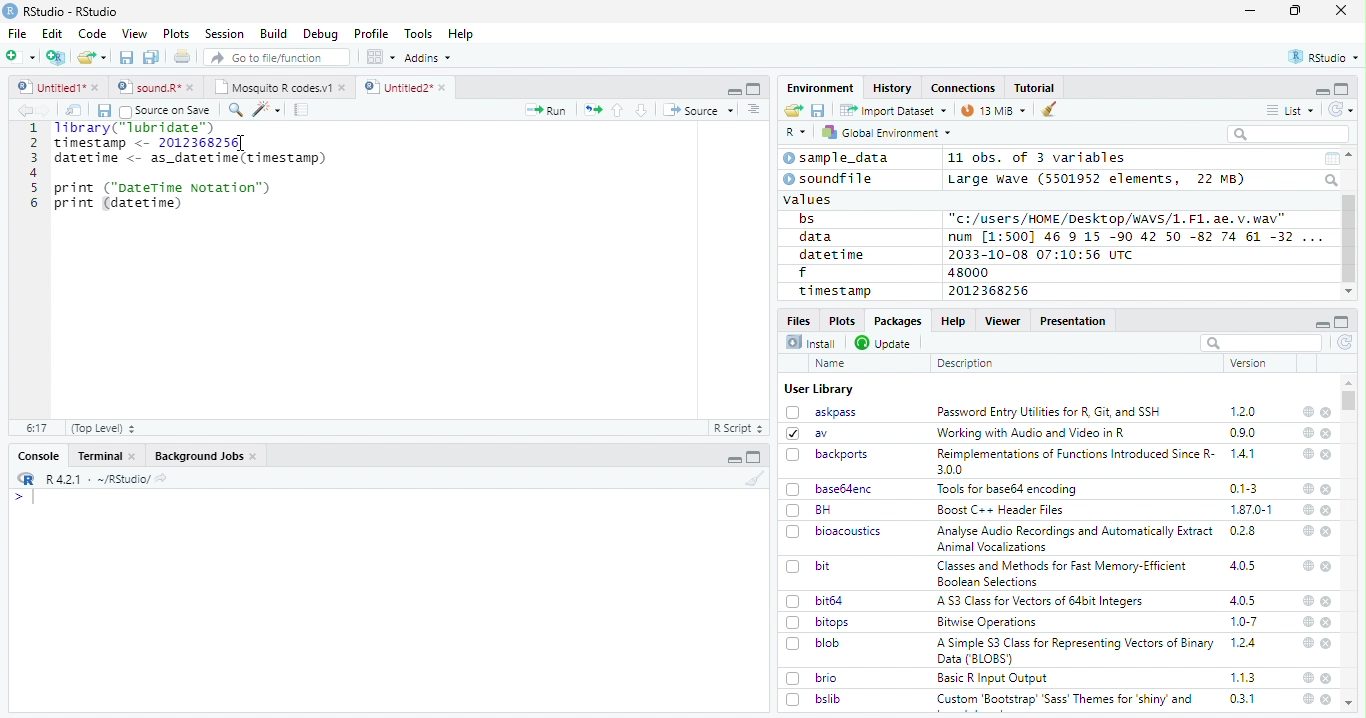  Describe the element at coordinates (1252, 363) in the screenshot. I see `Version` at that location.